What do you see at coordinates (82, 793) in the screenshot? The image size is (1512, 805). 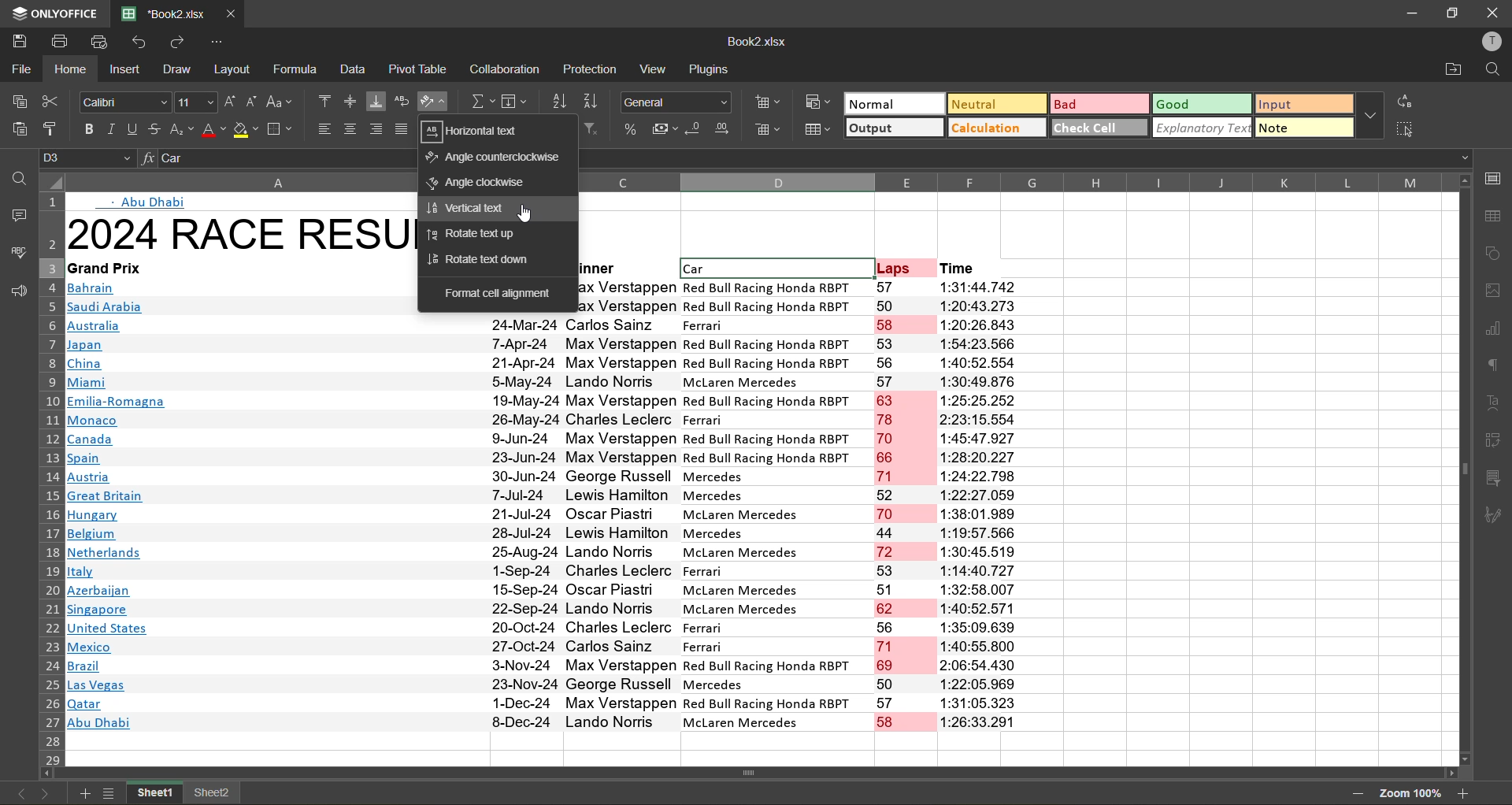 I see `add new sheet` at bounding box center [82, 793].